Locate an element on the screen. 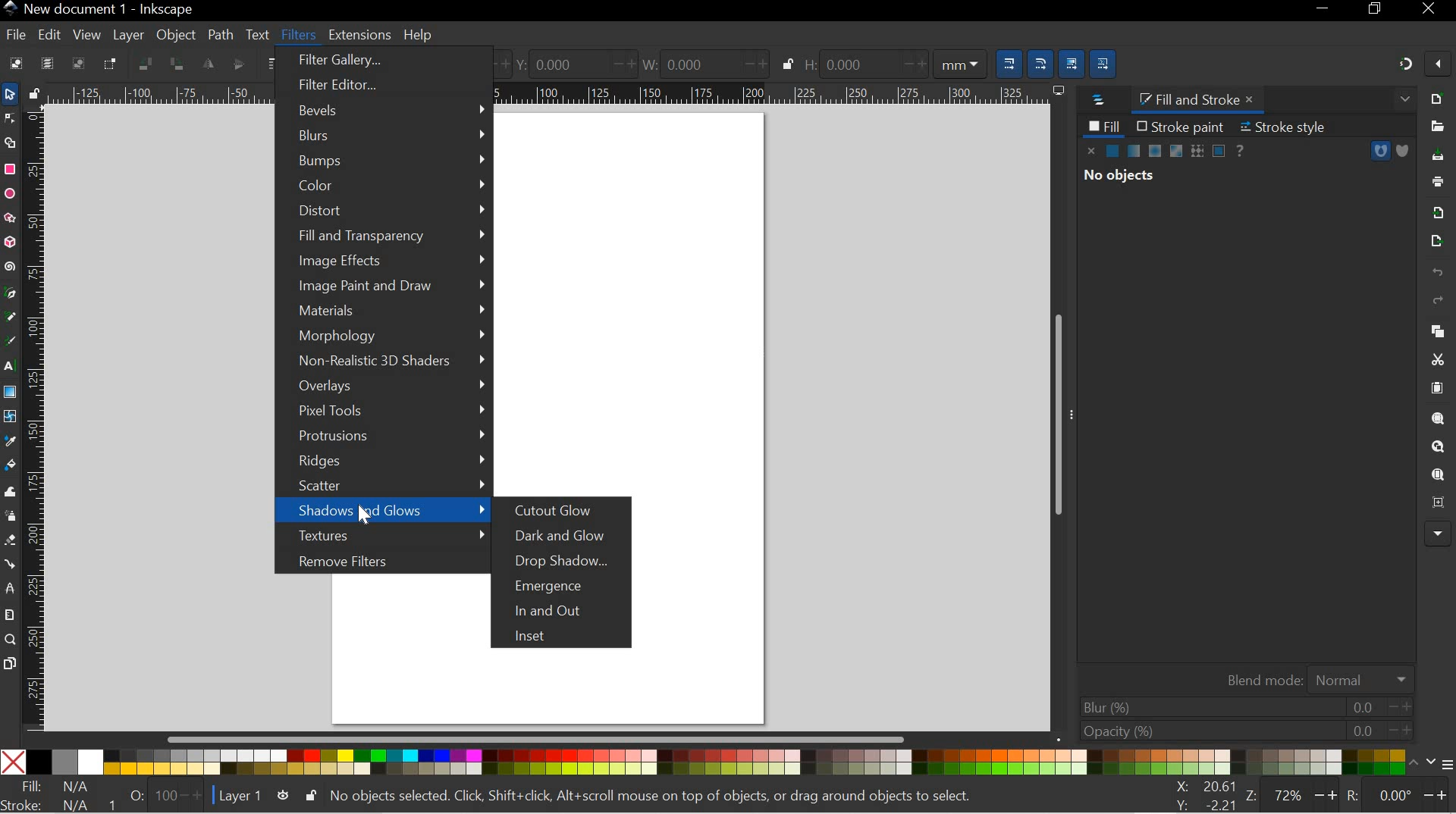  DISPLAY OPTIONS is located at coordinates (1057, 90).